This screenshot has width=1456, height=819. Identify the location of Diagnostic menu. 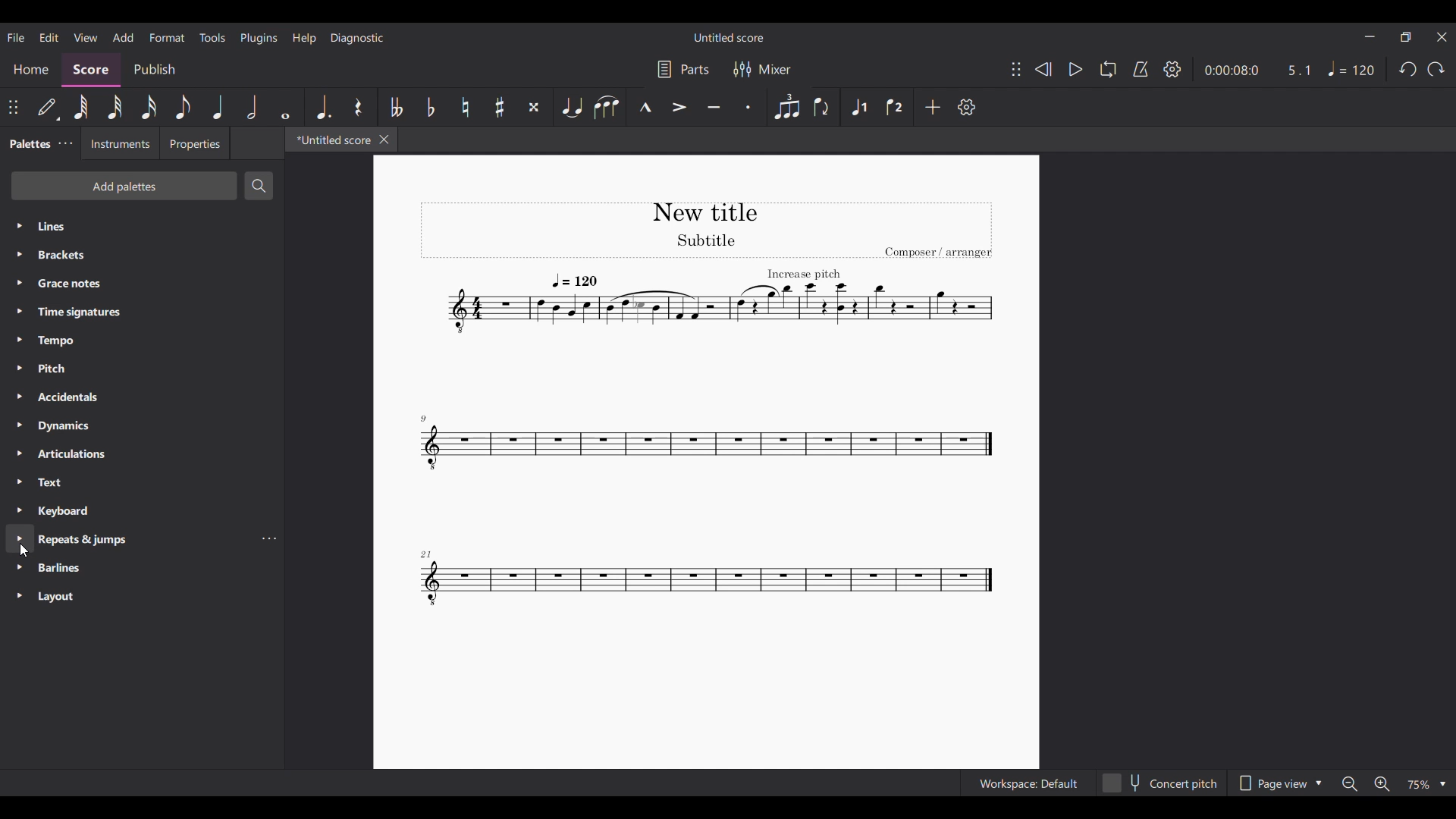
(357, 39).